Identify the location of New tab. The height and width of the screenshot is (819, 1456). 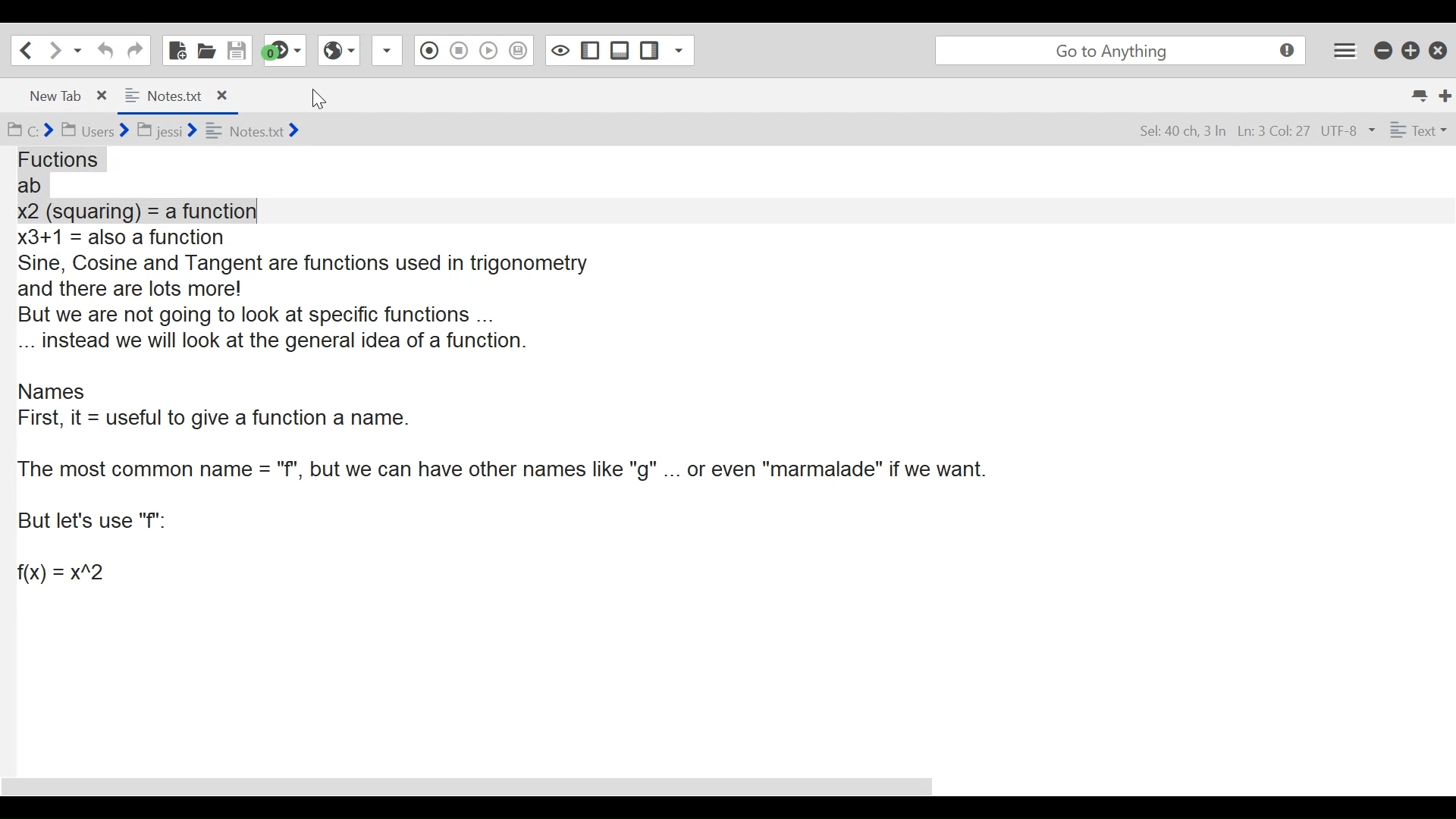
(1444, 93).